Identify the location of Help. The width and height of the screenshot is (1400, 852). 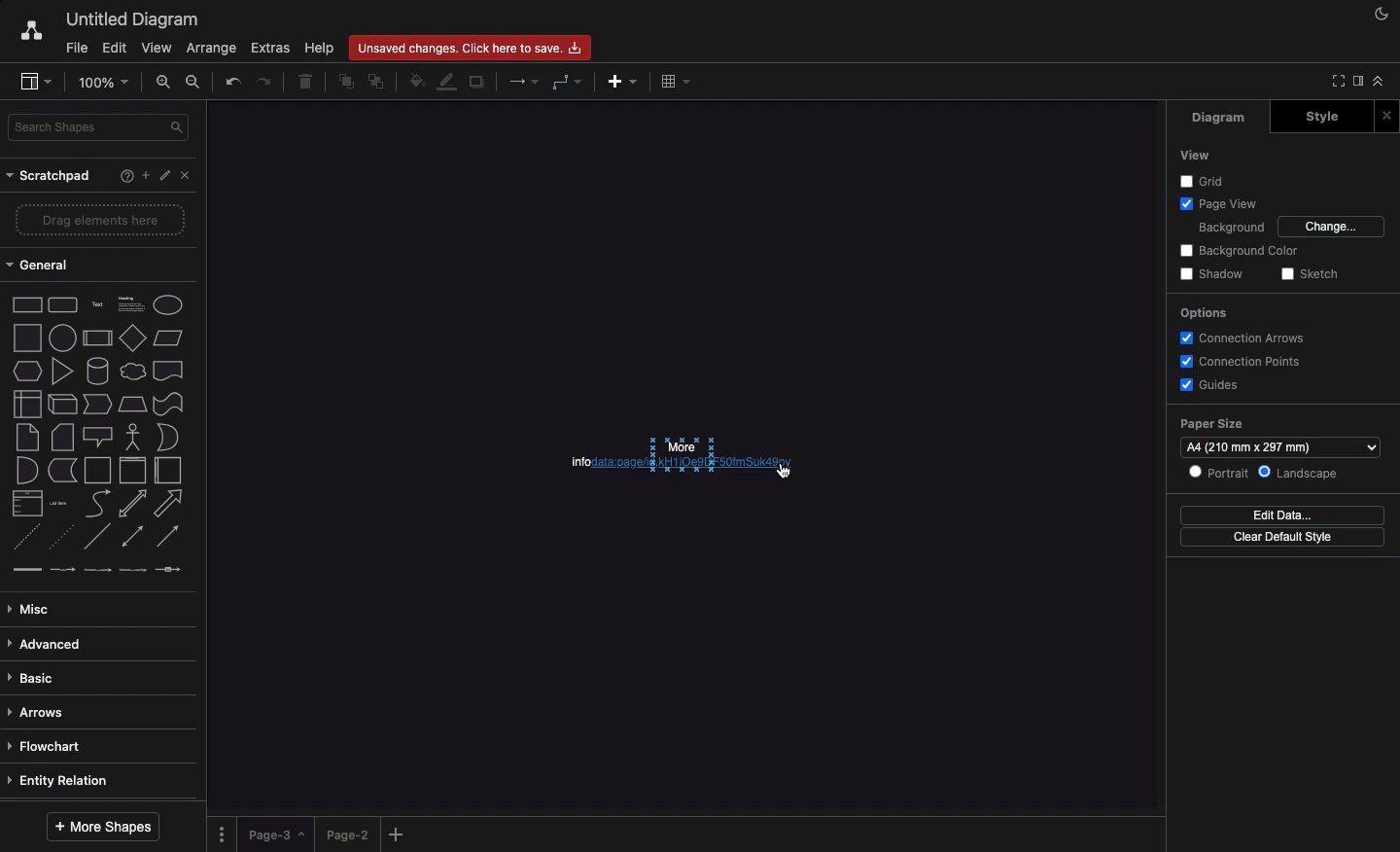
(122, 178).